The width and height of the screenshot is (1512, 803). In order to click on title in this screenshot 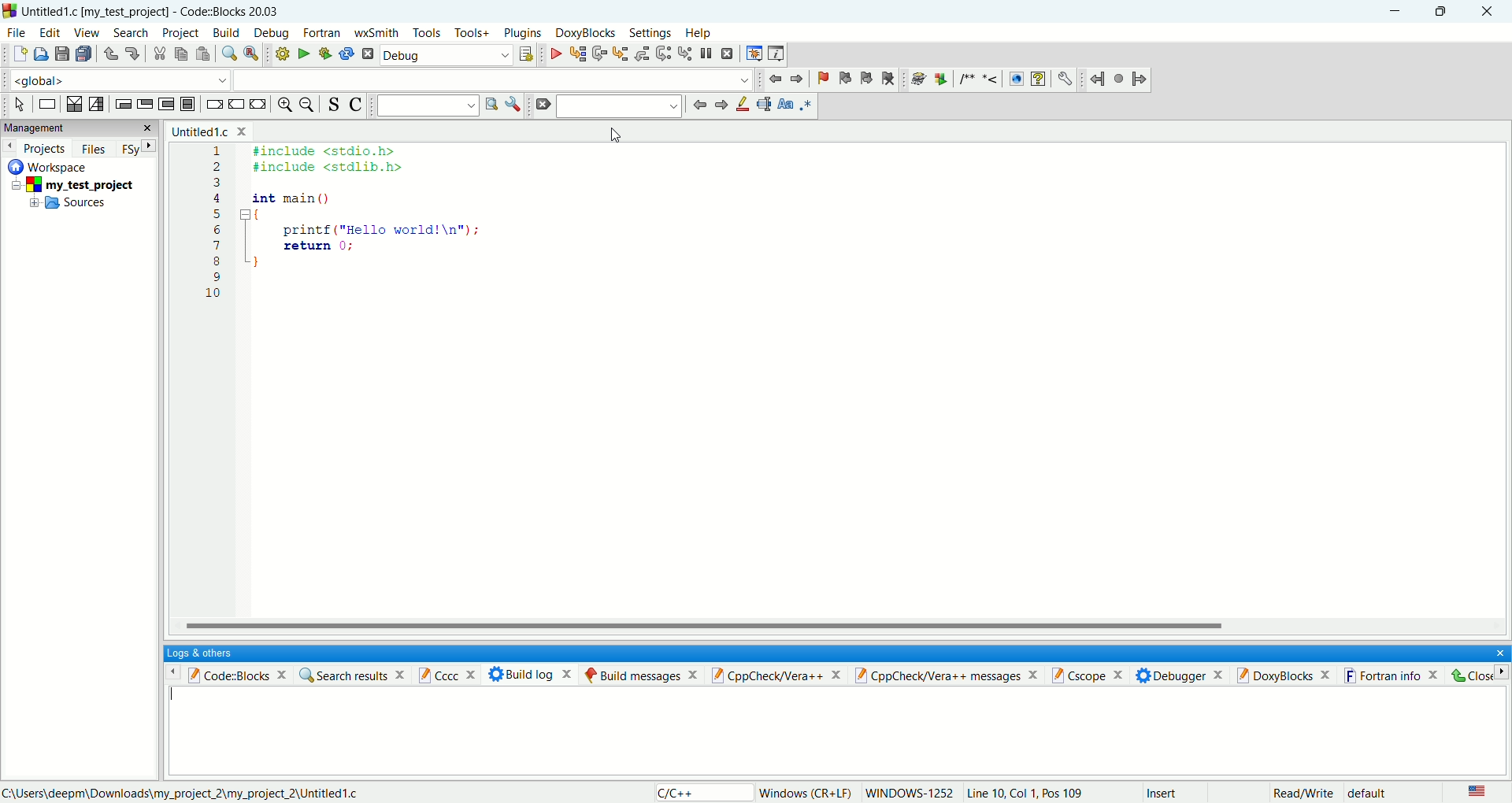, I will do `click(152, 9)`.